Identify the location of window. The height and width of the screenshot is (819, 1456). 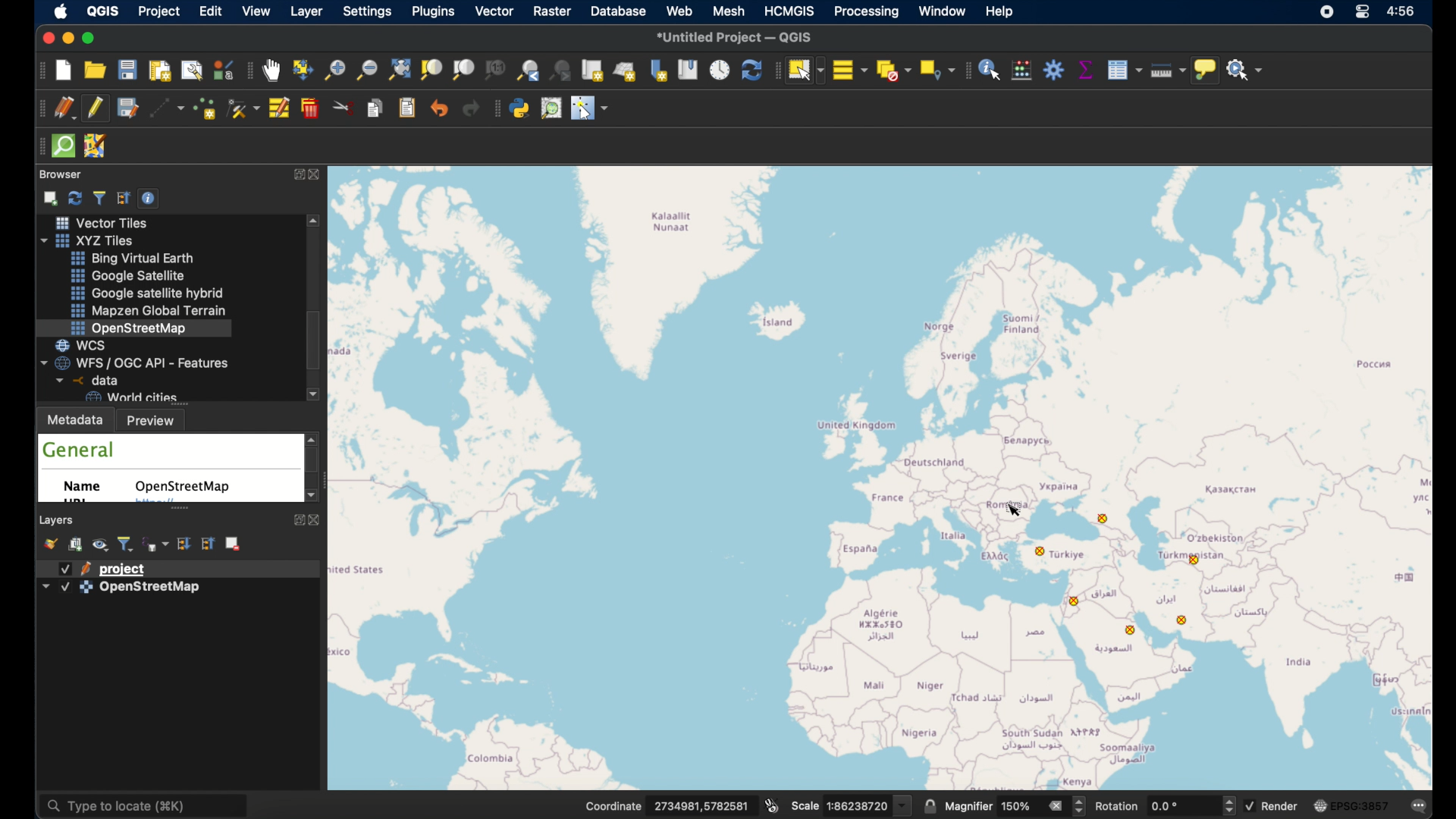
(943, 12).